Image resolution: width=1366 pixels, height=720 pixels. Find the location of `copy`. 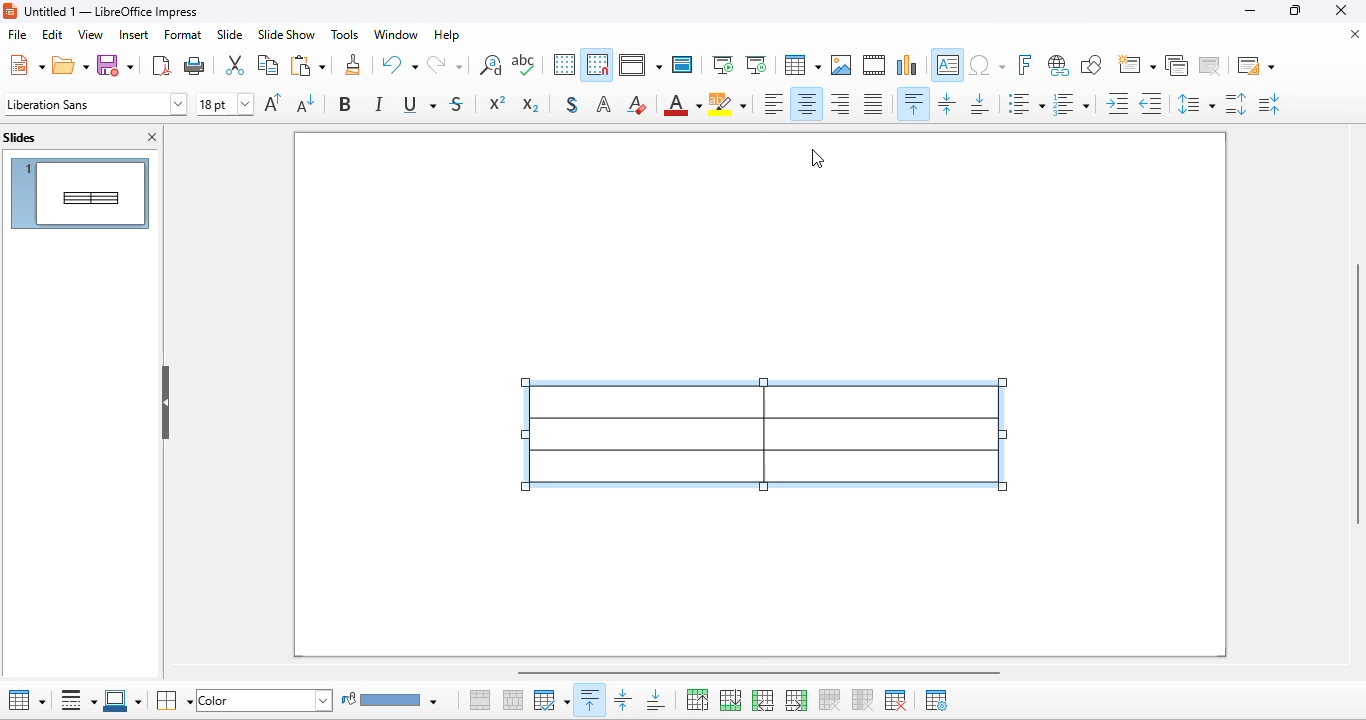

copy is located at coordinates (268, 64).